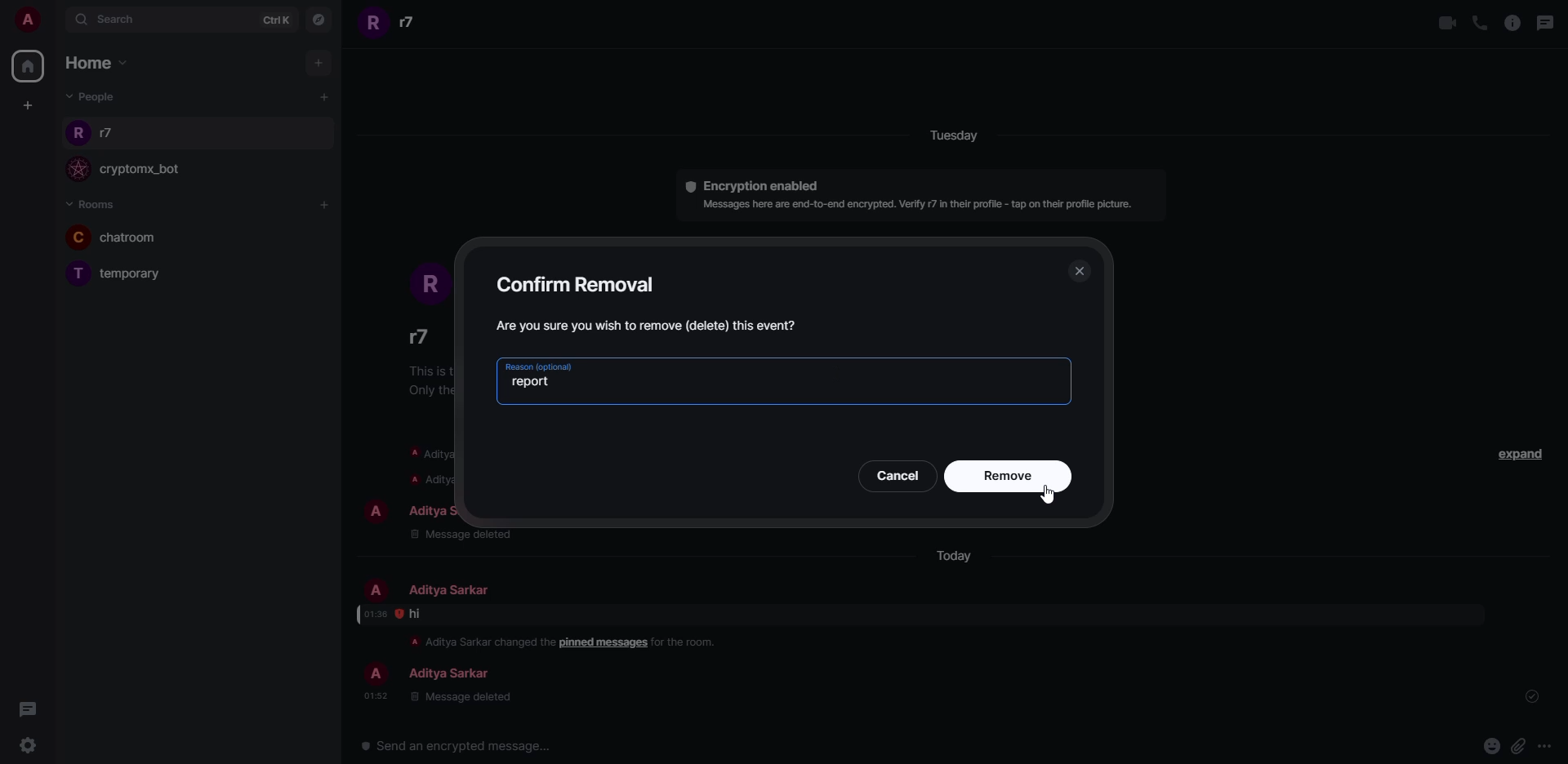 This screenshot has height=764, width=1568. Describe the element at coordinates (323, 204) in the screenshot. I see `add` at that location.